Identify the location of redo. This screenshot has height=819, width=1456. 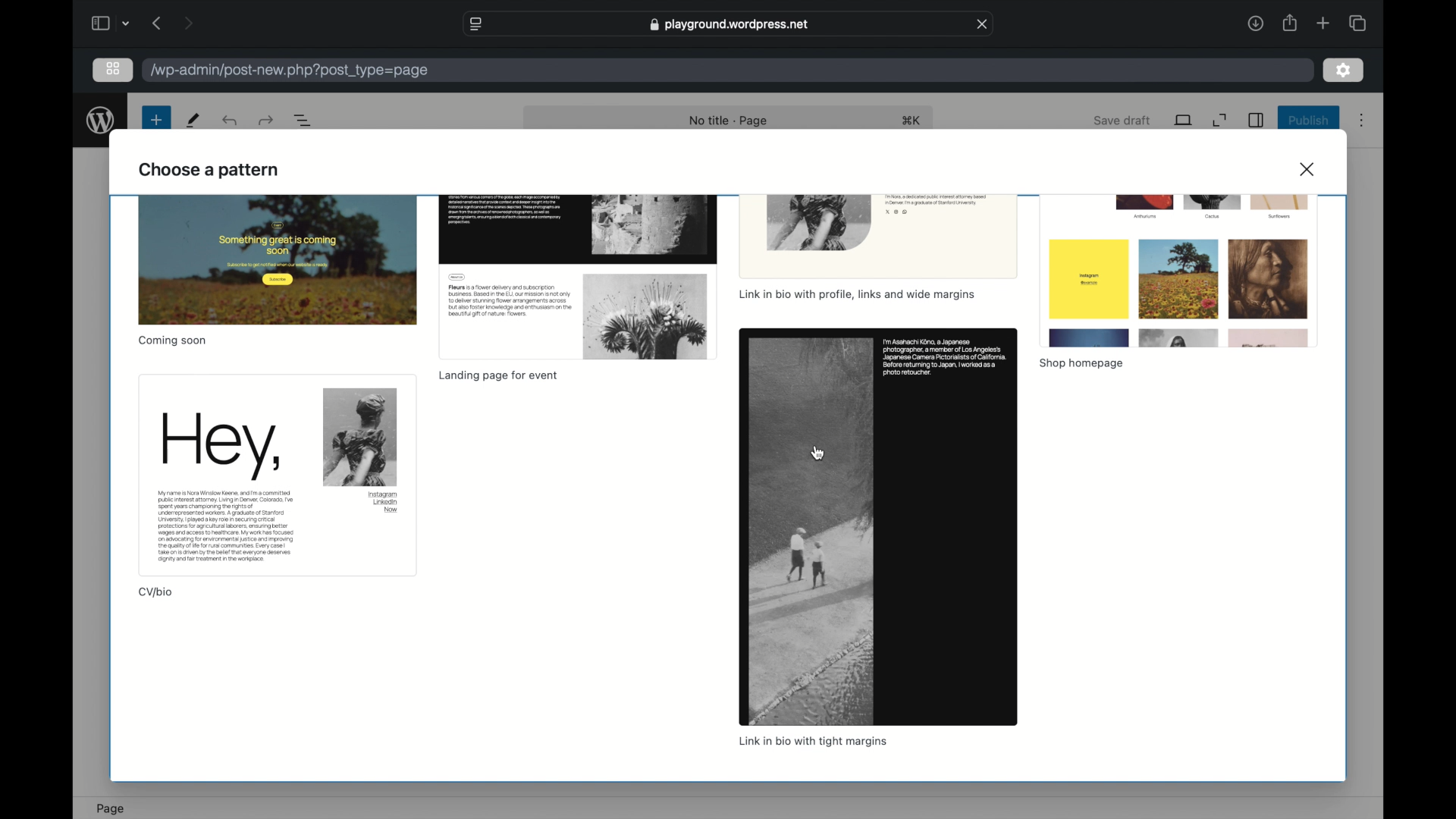
(231, 120).